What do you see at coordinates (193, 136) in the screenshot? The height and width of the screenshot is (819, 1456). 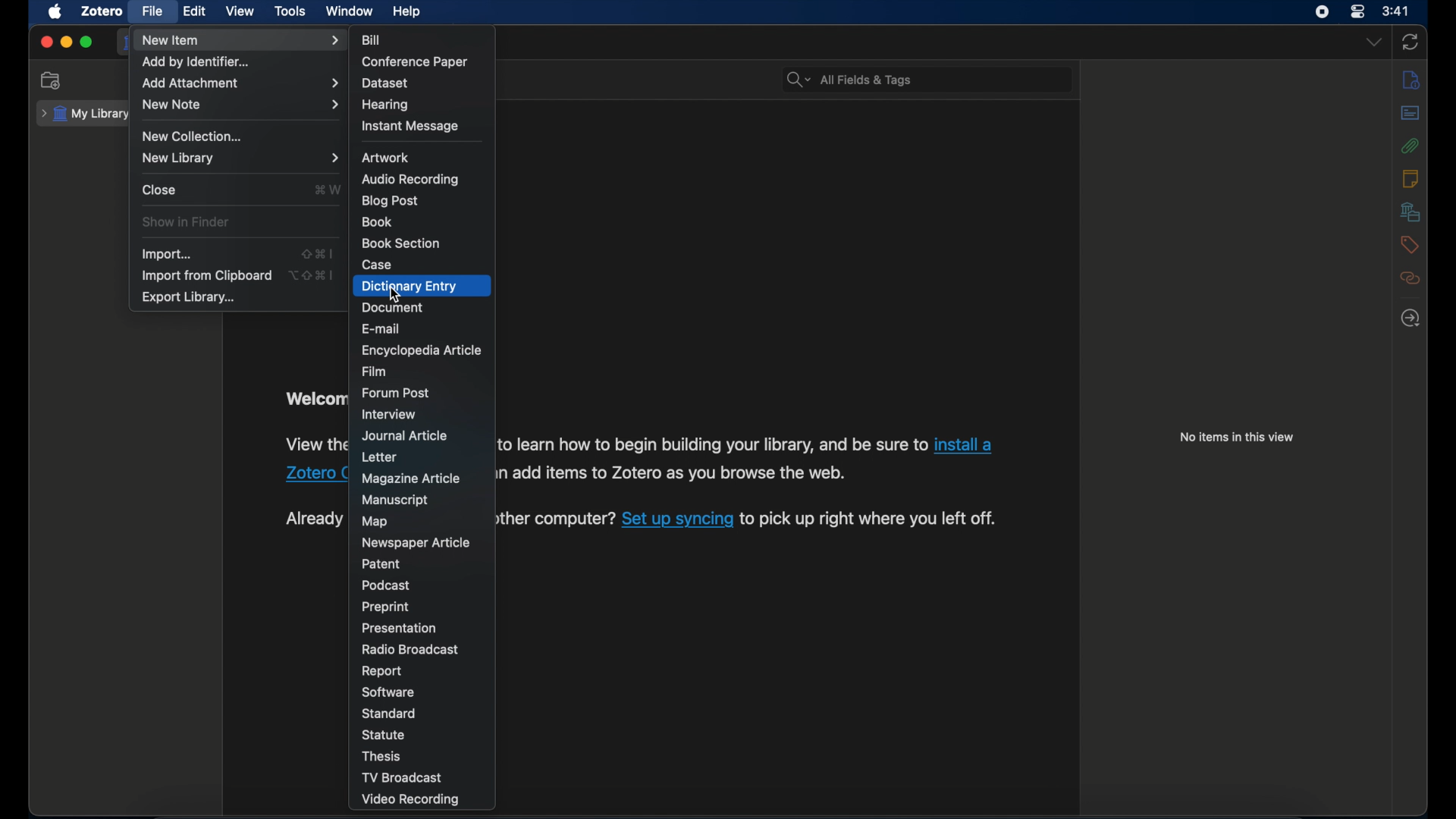 I see `new collection` at bounding box center [193, 136].